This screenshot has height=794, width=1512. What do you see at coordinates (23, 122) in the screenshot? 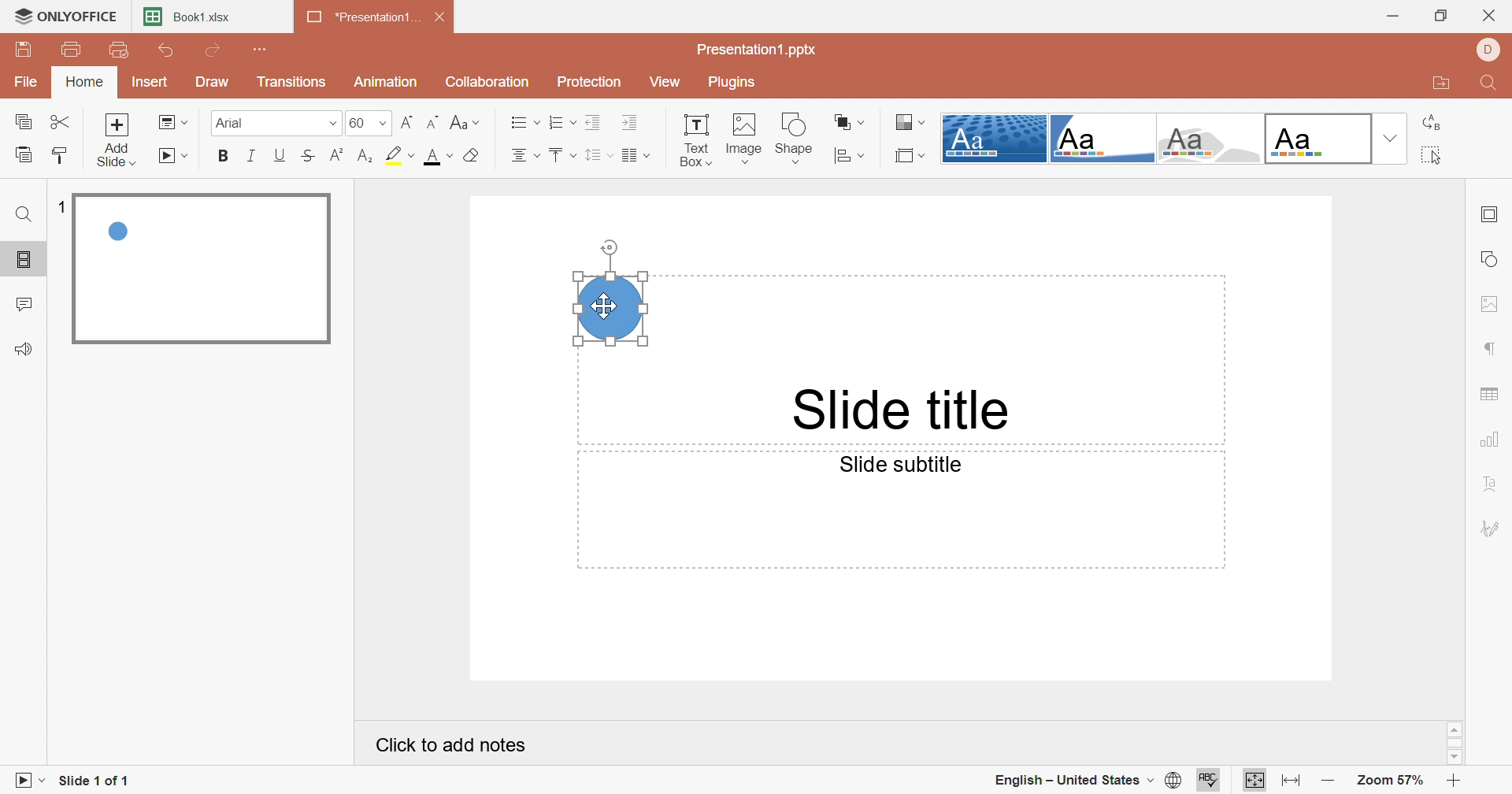
I see `Copy` at bounding box center [23, 122].